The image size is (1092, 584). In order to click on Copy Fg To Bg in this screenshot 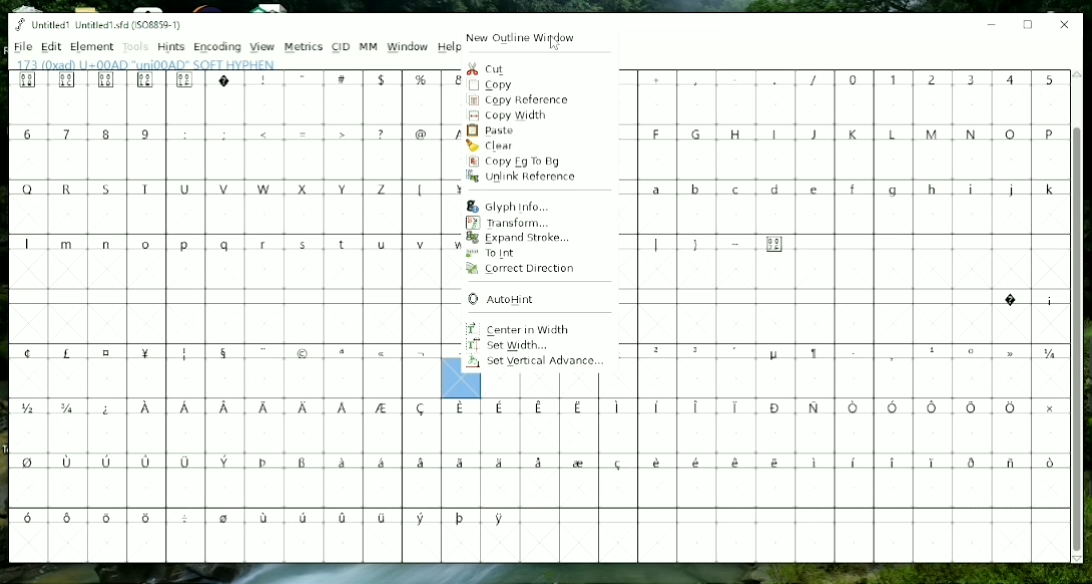, I will do `click(524, 162)`.